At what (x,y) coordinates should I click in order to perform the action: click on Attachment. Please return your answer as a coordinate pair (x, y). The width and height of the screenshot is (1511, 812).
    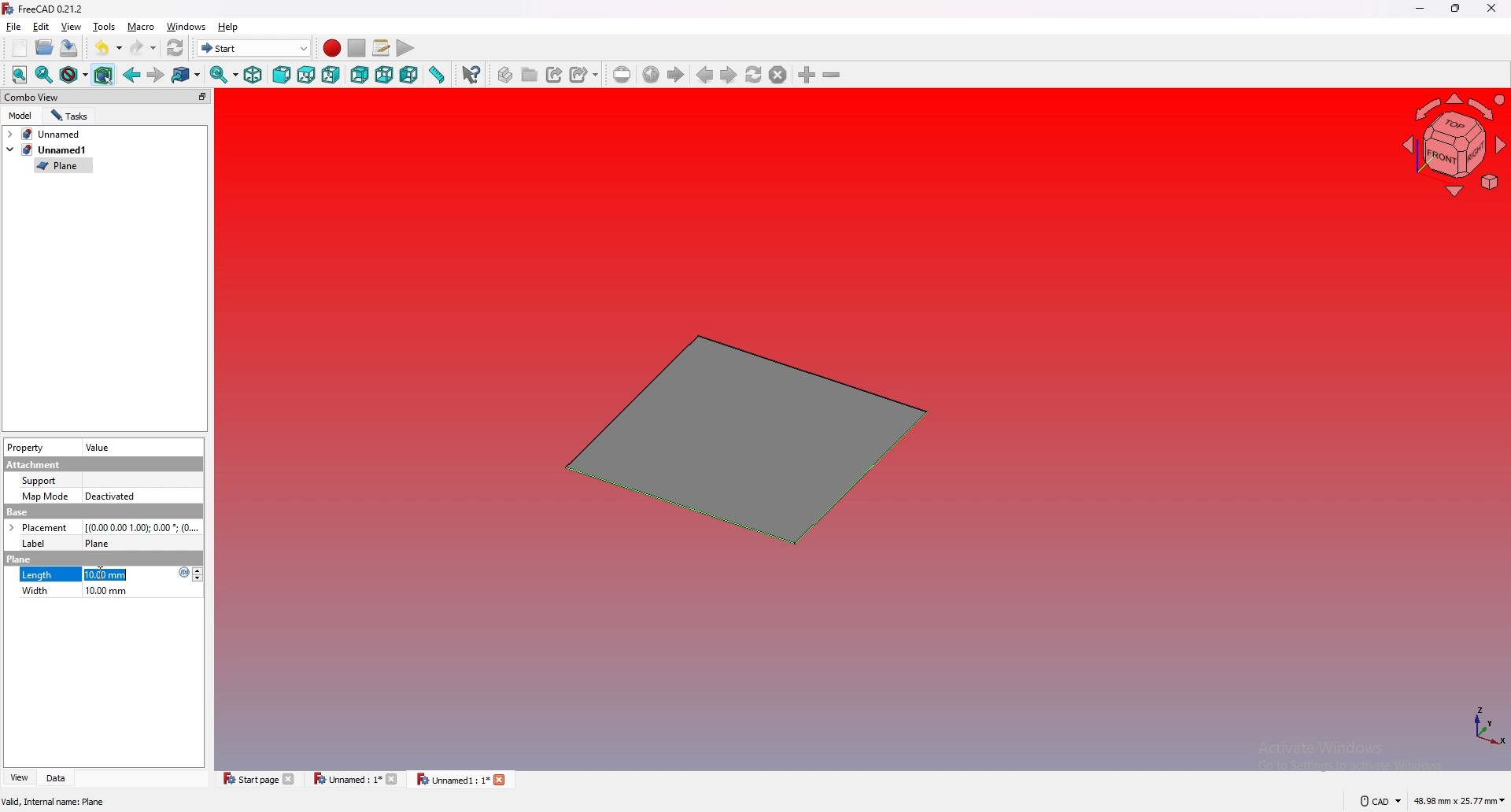
    Looking at the image, I should click on (36, 464).